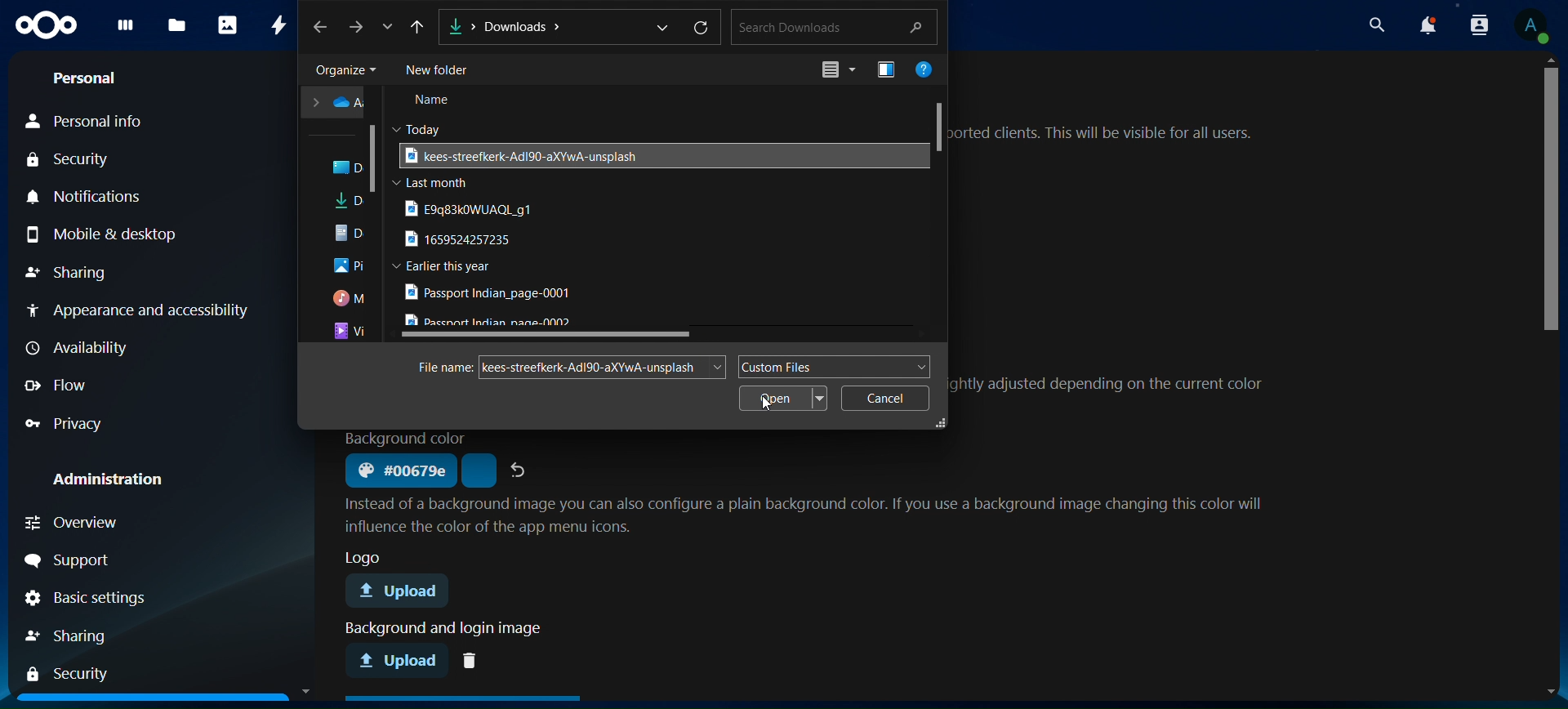 The width and height of the screenshot is (1568, 709). I want to click on documents, so click(351, 233).